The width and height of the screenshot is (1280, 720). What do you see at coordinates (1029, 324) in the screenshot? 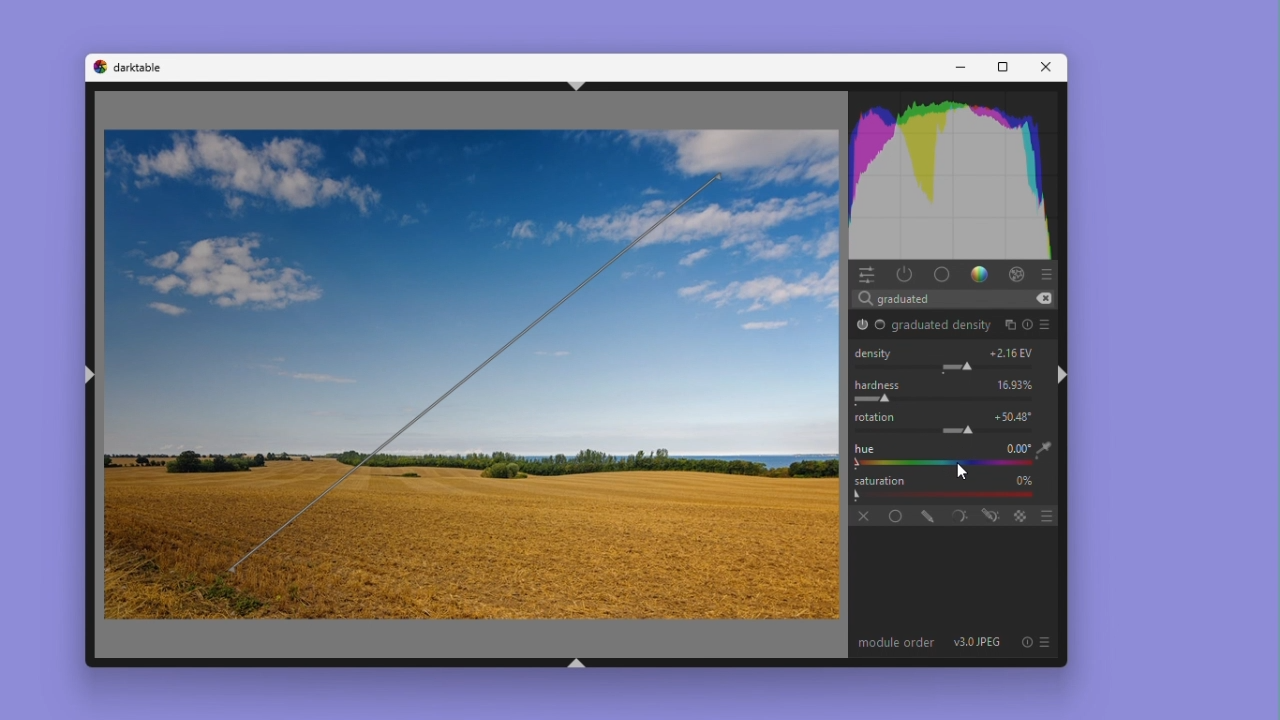
I see `reset` at bounding box center [1029, 324].